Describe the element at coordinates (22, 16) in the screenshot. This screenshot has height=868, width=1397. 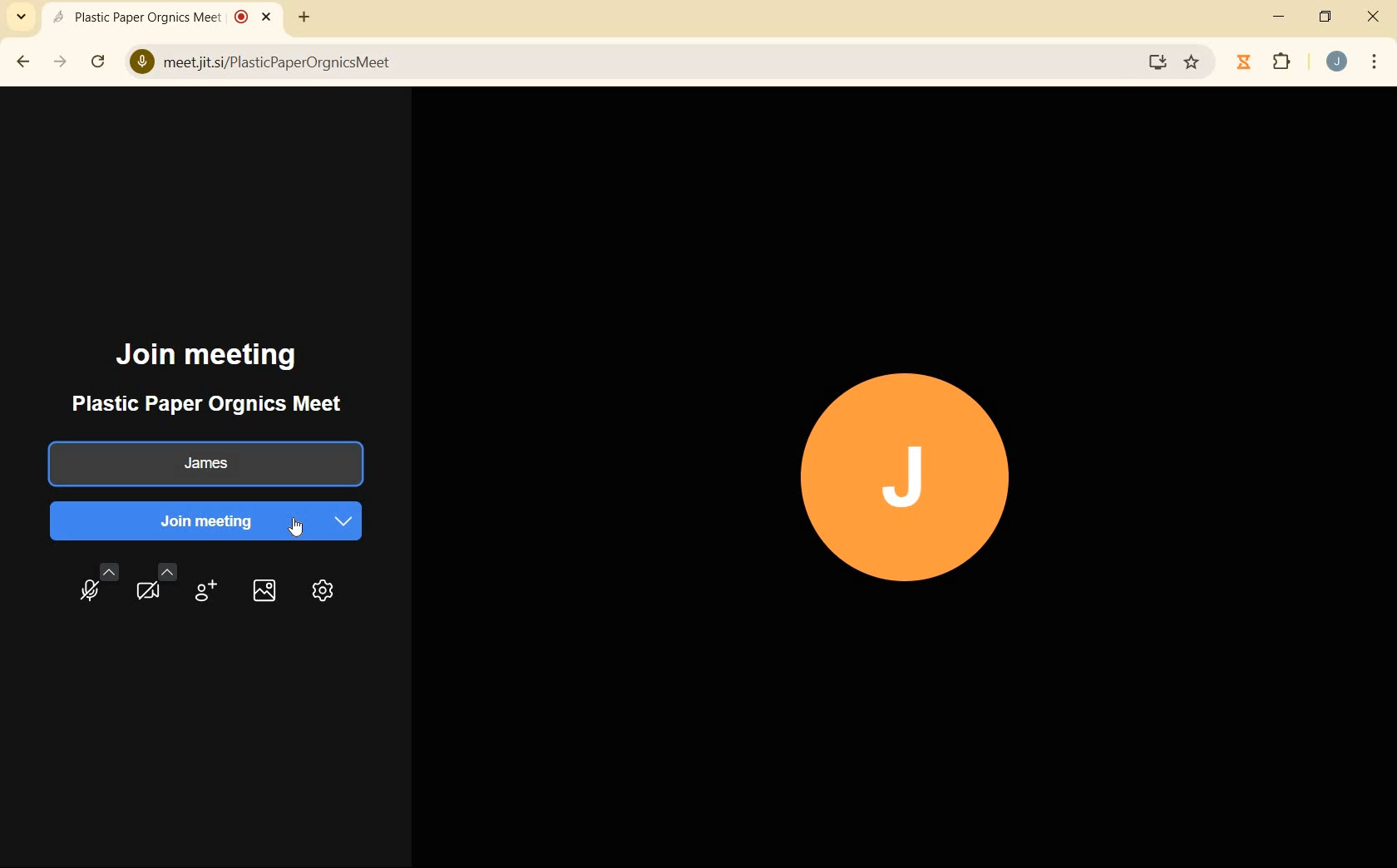
I see `search tabs` at that location.